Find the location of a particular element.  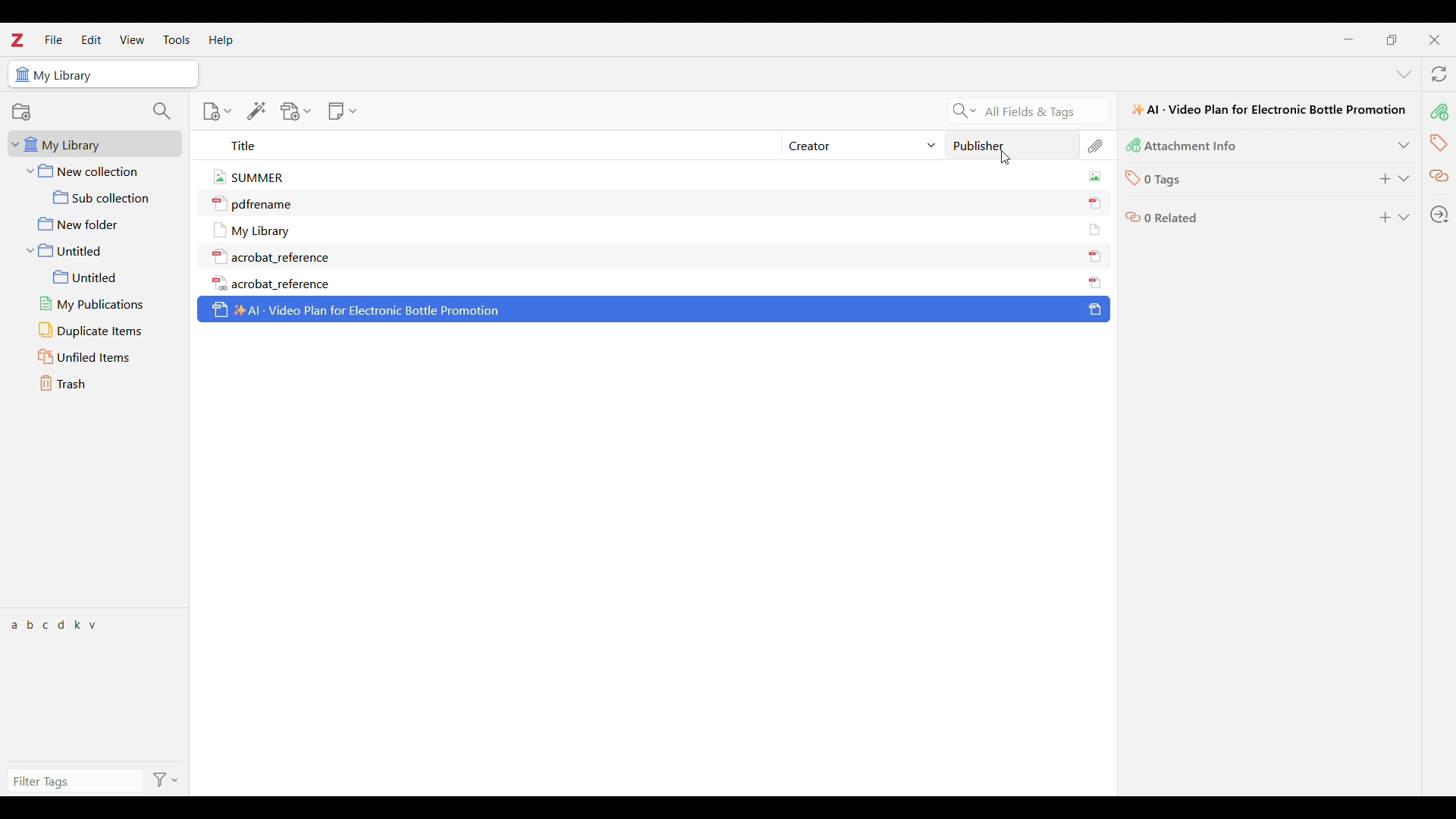

icon is located at coordinates (1133, 147).